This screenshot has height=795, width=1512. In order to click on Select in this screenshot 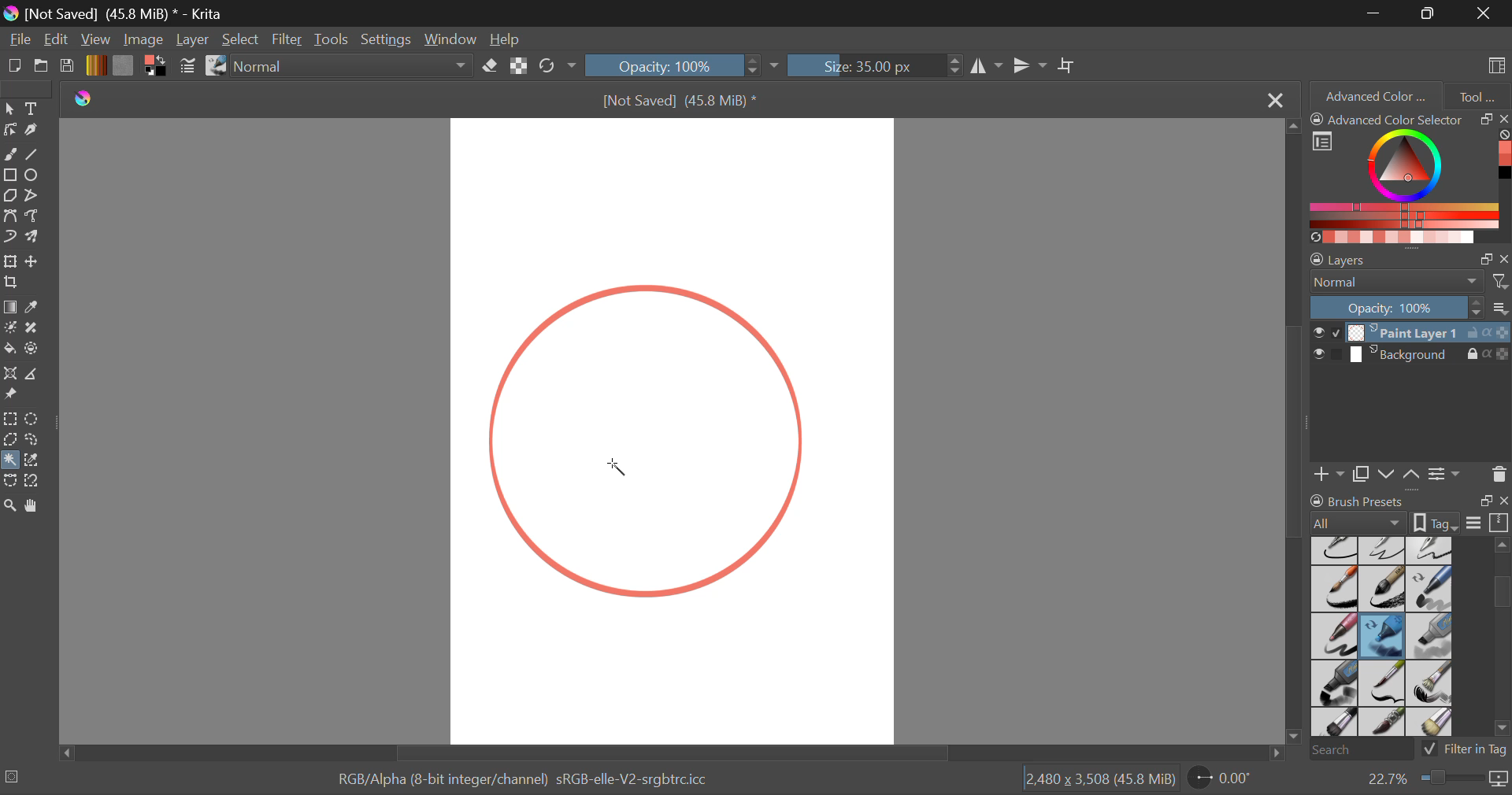, I will do `click(242, 41)`.